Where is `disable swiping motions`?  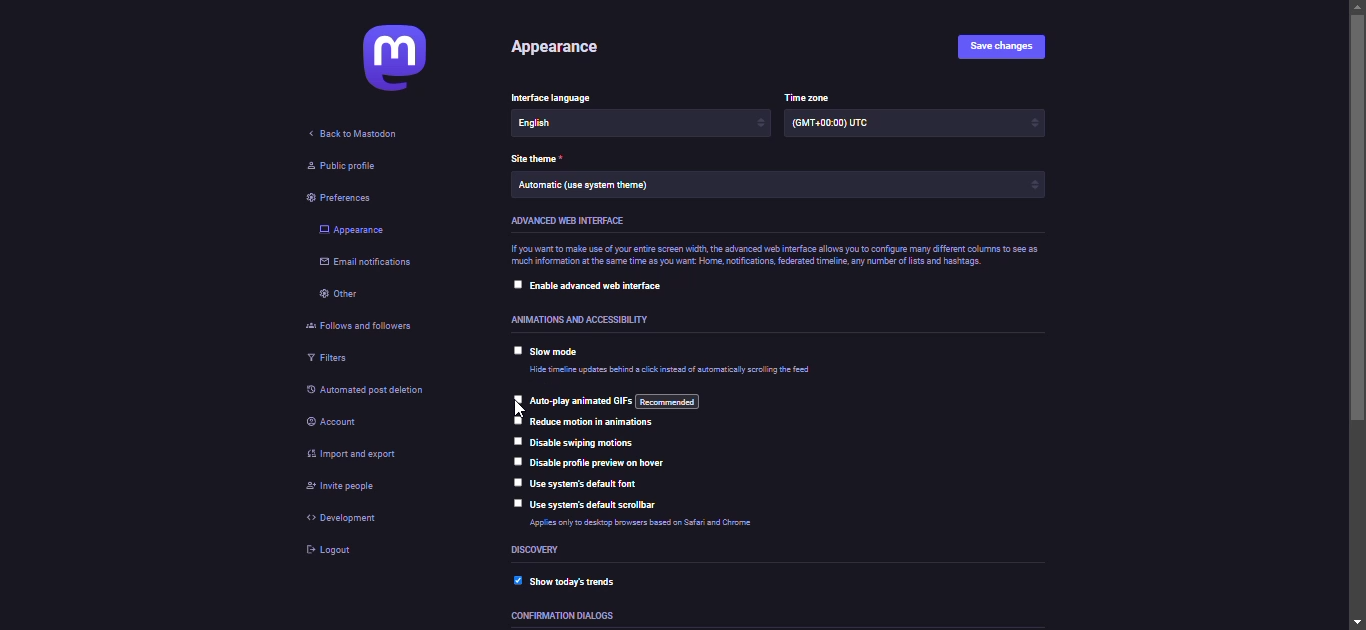 disable swiping motions is located at coordinates (584, 444).